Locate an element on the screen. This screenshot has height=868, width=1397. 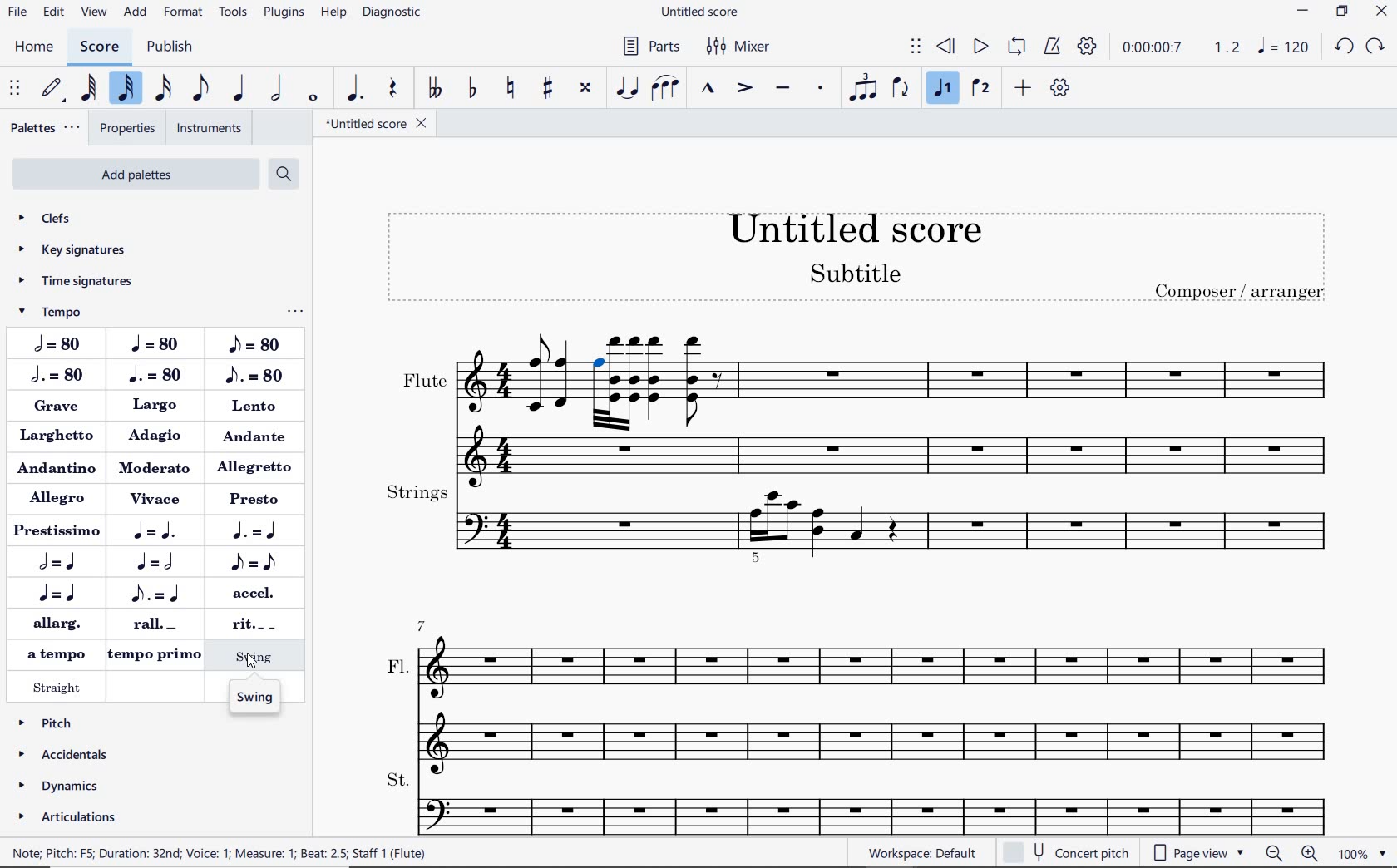
ALLEGRETTO is located at coordinates (258, 466).